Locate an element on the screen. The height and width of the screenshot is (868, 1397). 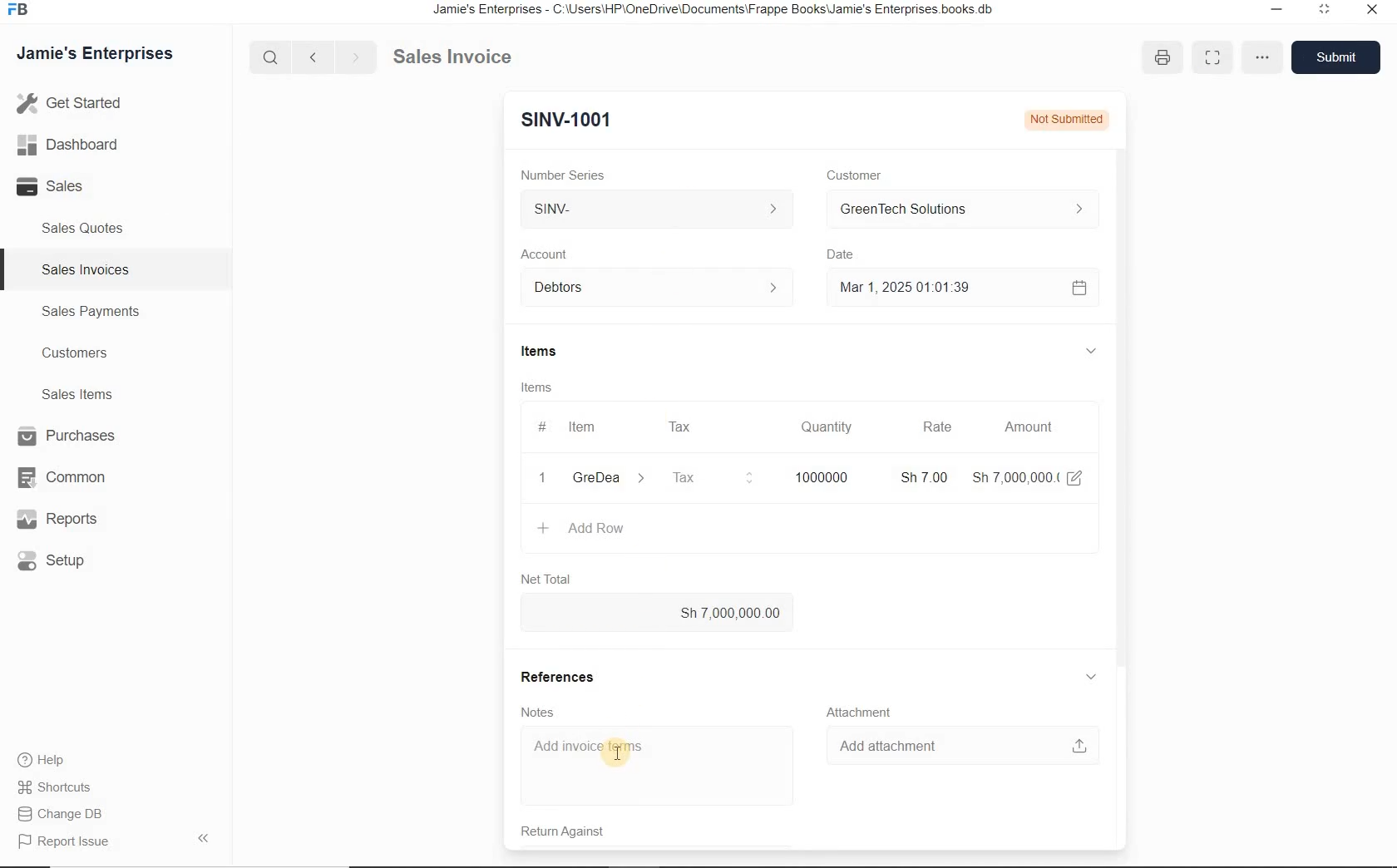
, Reports is located at coordinates (60, 520).